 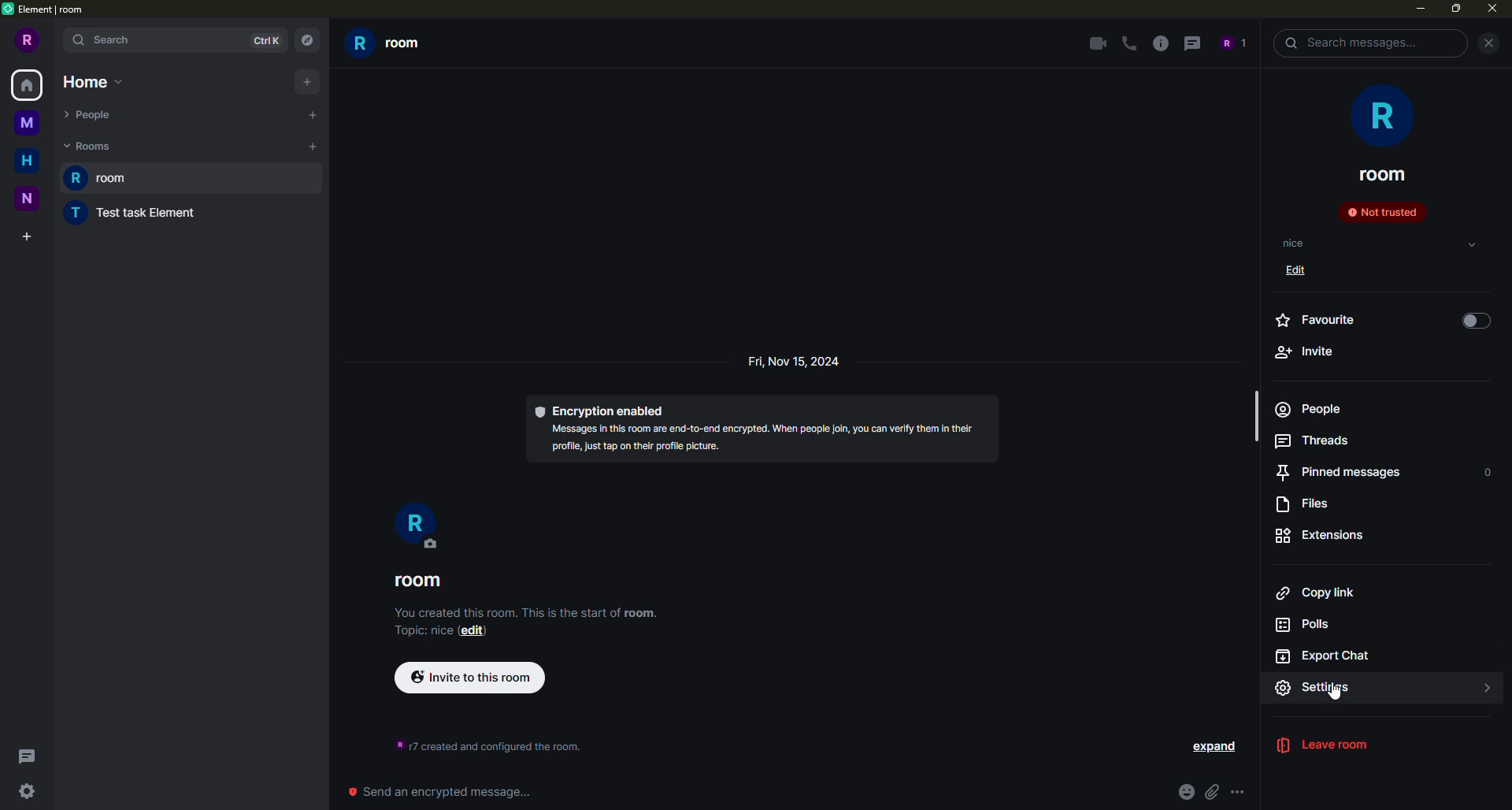 I want to click on copy link, so click(x=1315, y=593).